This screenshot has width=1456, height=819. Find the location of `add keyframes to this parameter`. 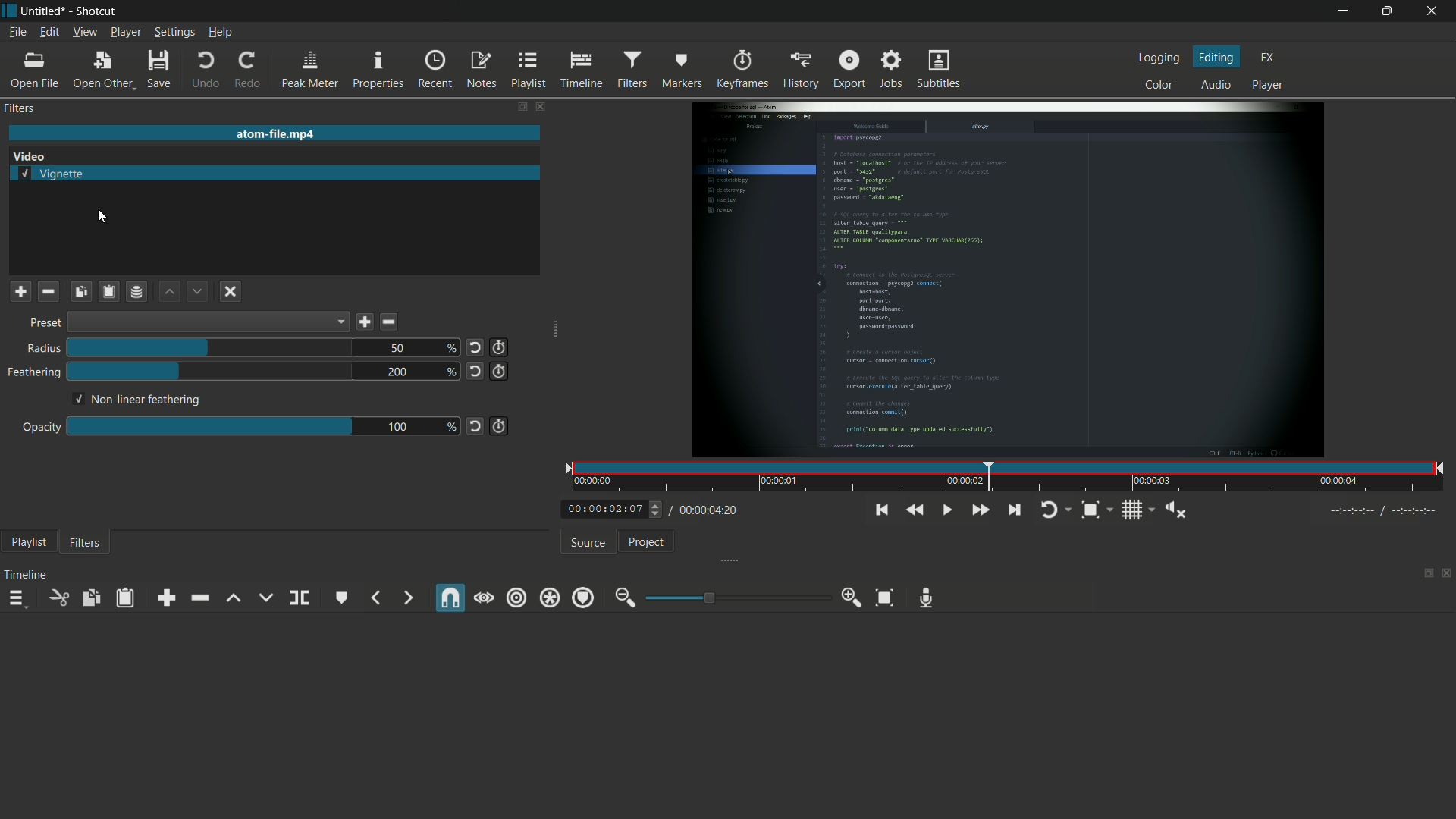

add keyframes to this parameter is located at coordinates (498, 426).